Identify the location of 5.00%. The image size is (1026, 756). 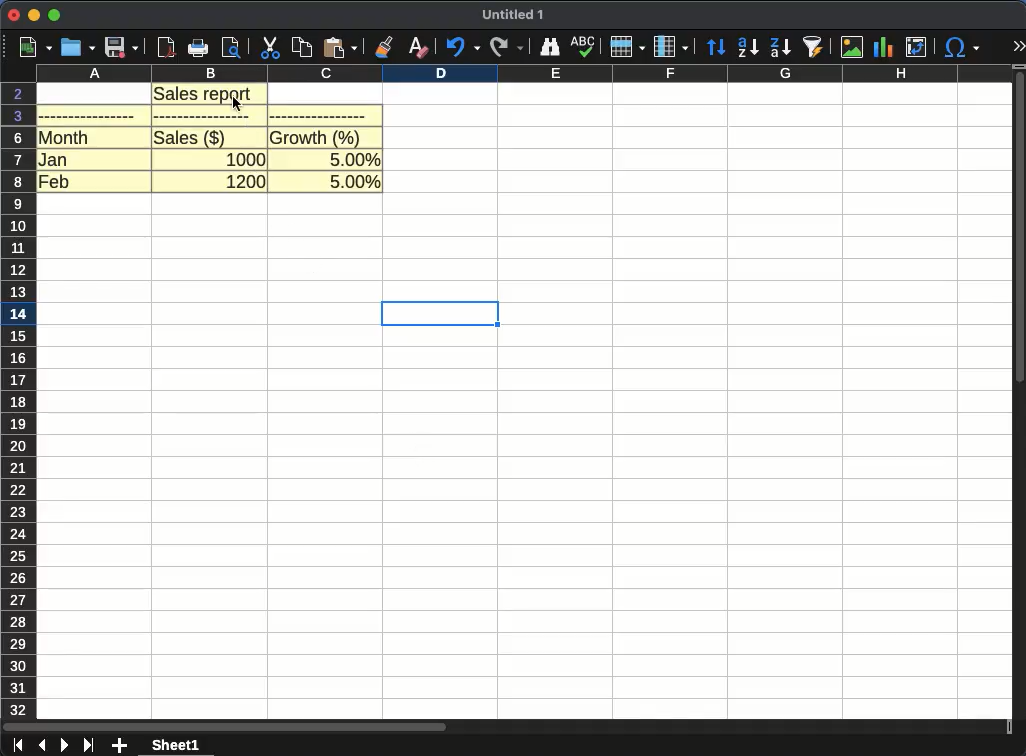
(355, 183).